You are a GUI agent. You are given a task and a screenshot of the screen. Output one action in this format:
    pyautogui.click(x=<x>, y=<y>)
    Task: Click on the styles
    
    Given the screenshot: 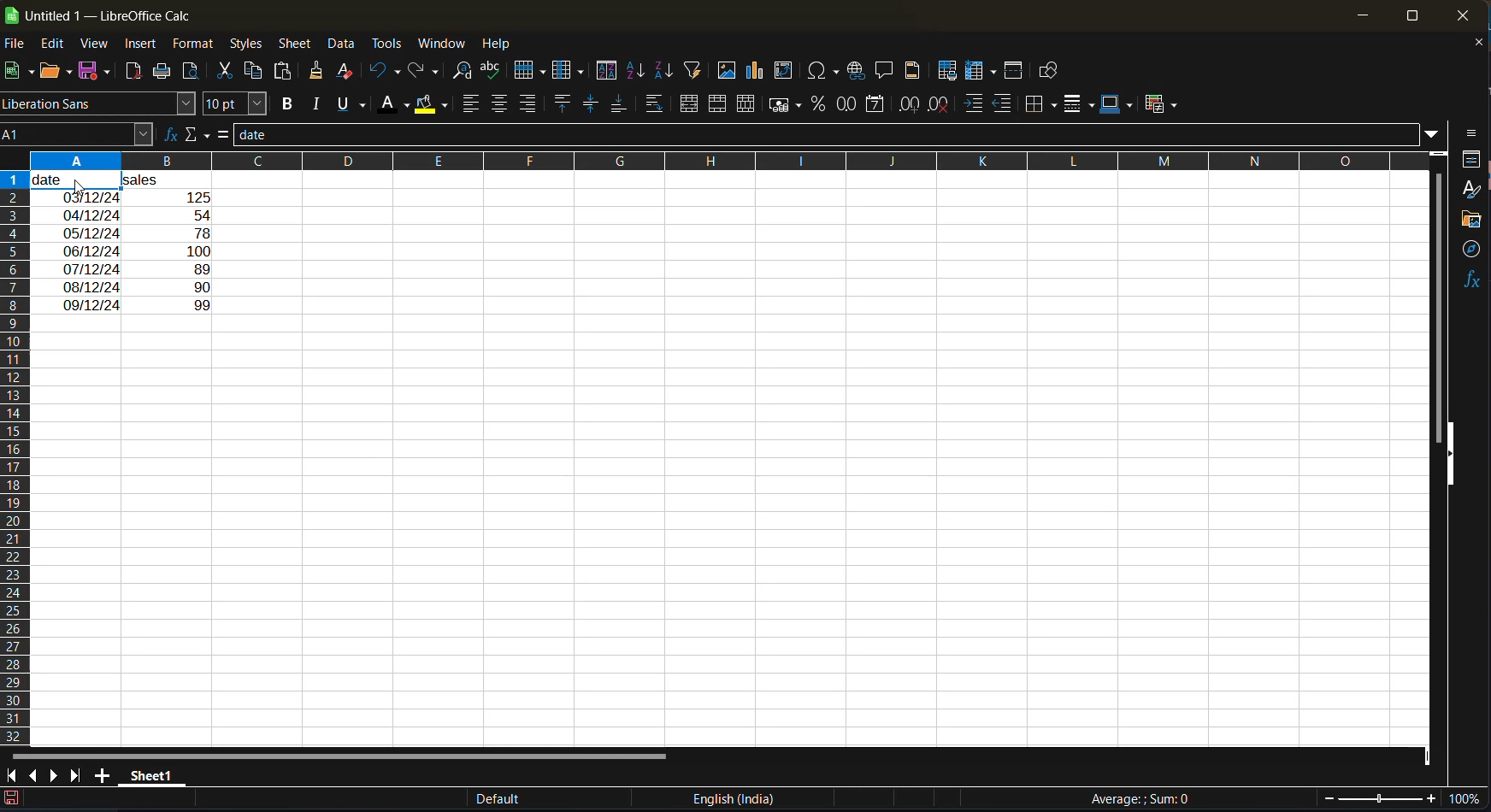 What is the action you would take?
    pyautogui.click(x=1471, y=190)
    